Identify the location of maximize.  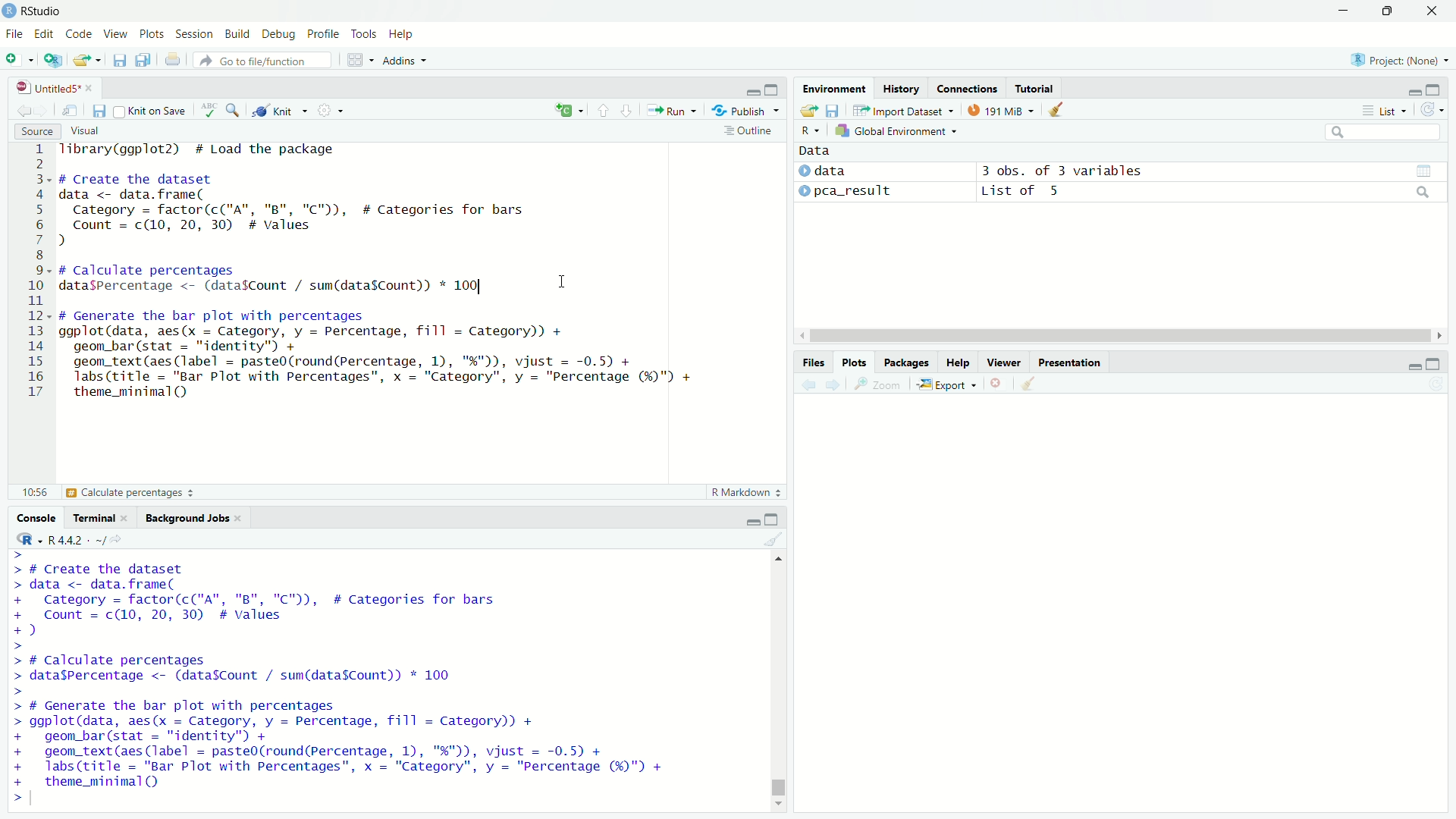
(1433, 362).